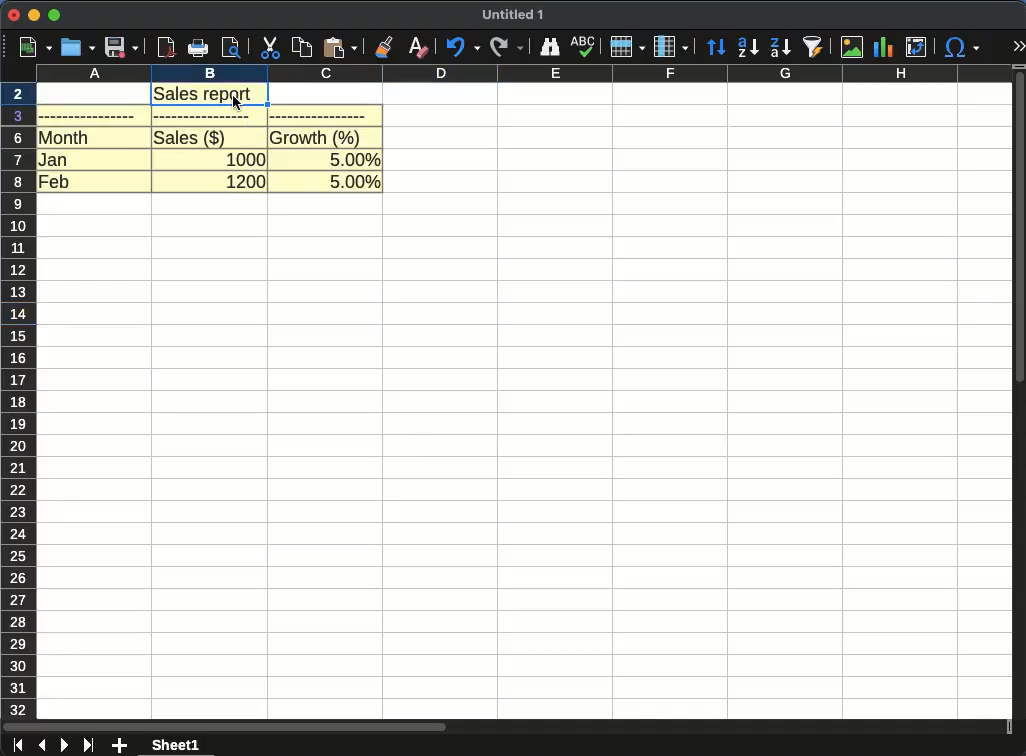 The height and width of the screenshot is (756, 1026). What do you see at coordinates (814, 46) in the screenshot?
I see `autofilter` at bounding box center [814, 46].